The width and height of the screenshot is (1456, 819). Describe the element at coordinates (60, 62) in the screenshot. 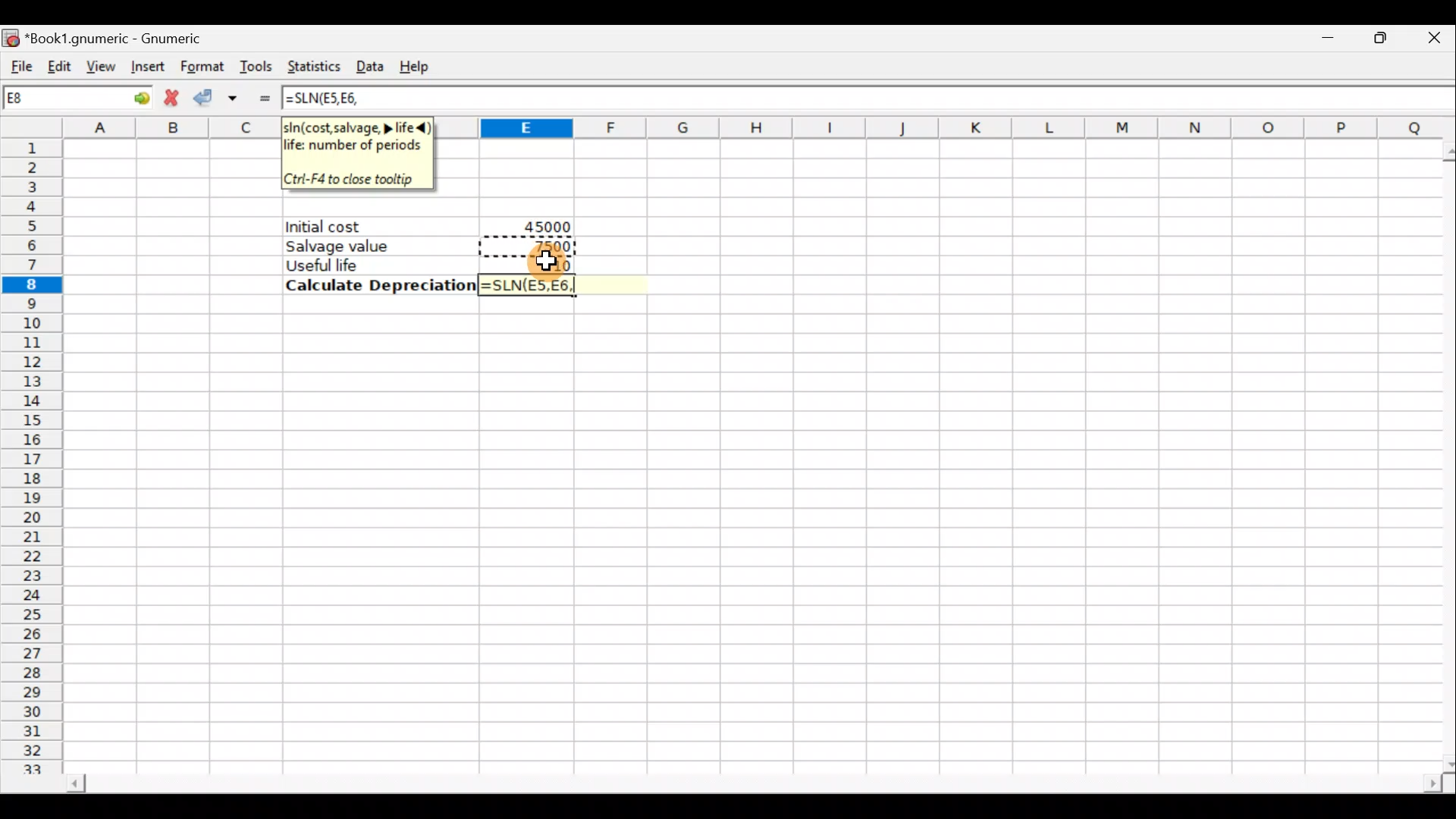

I see `Edit` at that location.